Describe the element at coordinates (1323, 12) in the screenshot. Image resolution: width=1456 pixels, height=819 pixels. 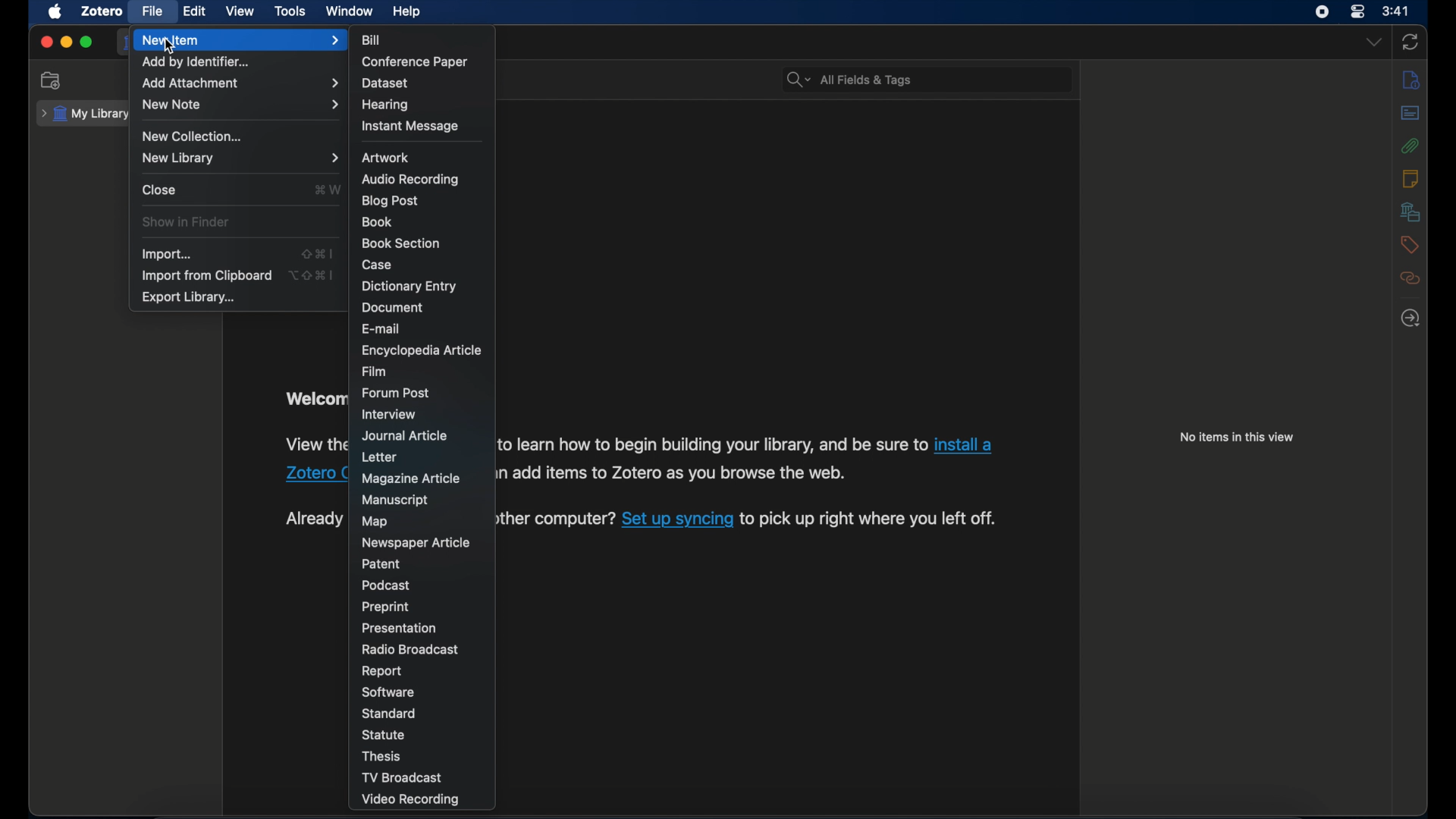
I see `screen recorder` at that location.